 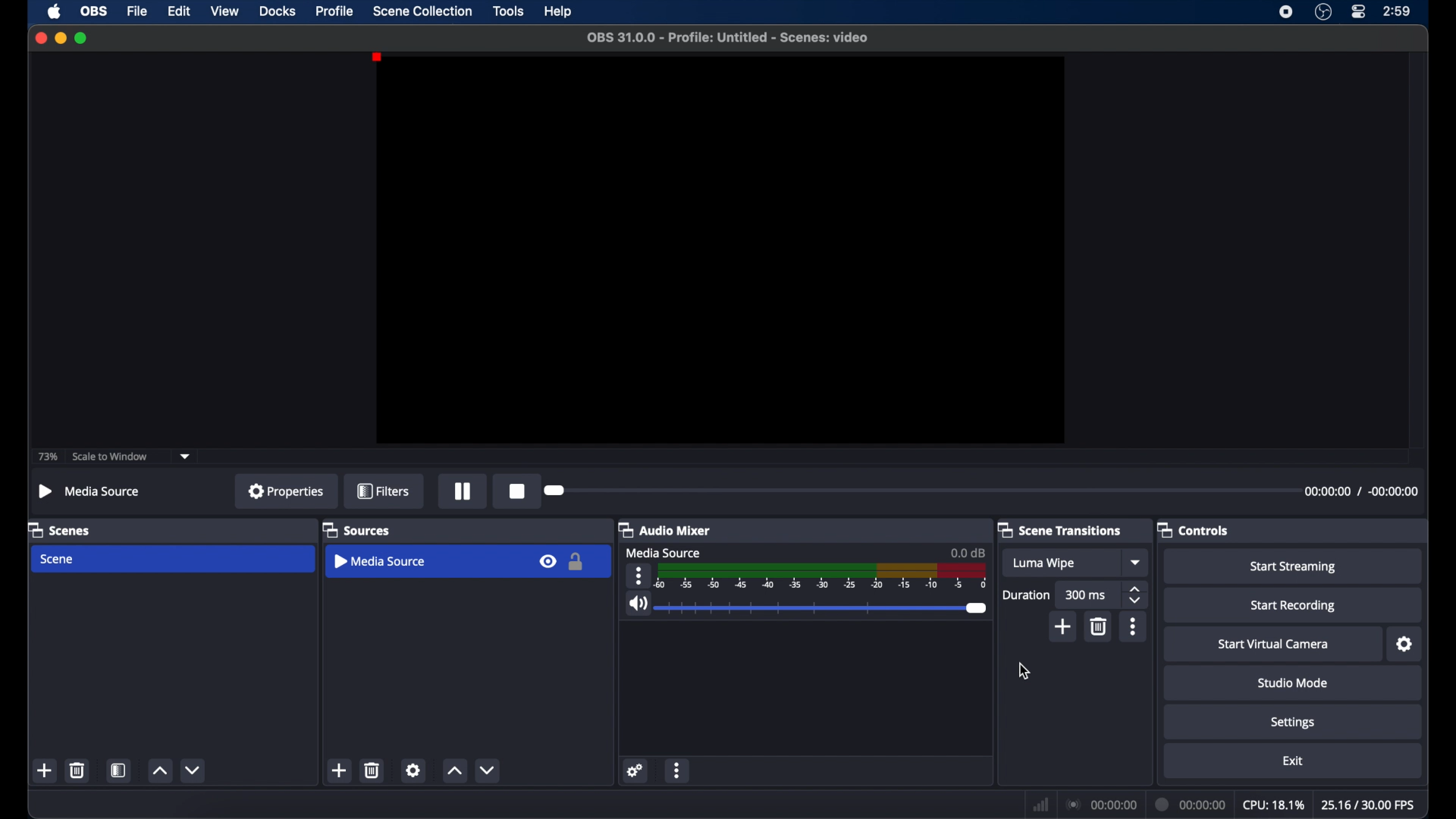 What do you see at coordinates (1274, 805) in the screenshot?
I see `cpu` at bounding box center [1274, 805].